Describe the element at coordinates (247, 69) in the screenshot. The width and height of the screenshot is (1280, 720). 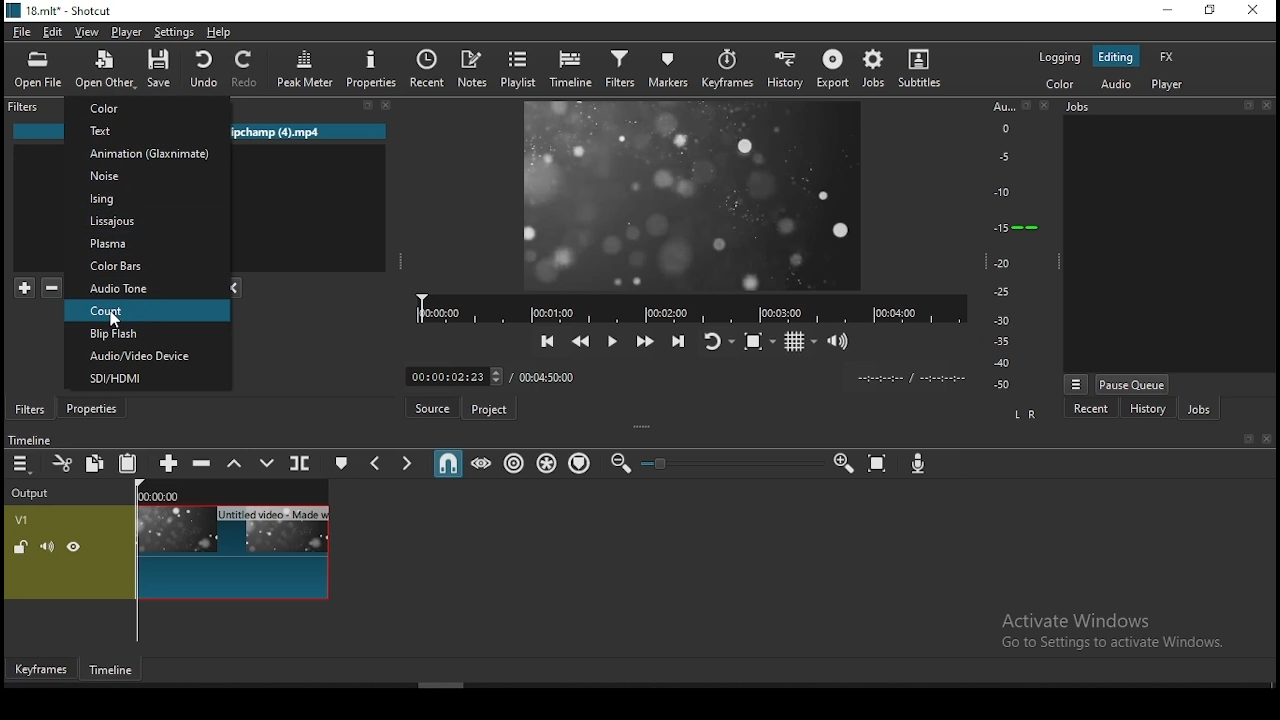
I see `redo` at that location.